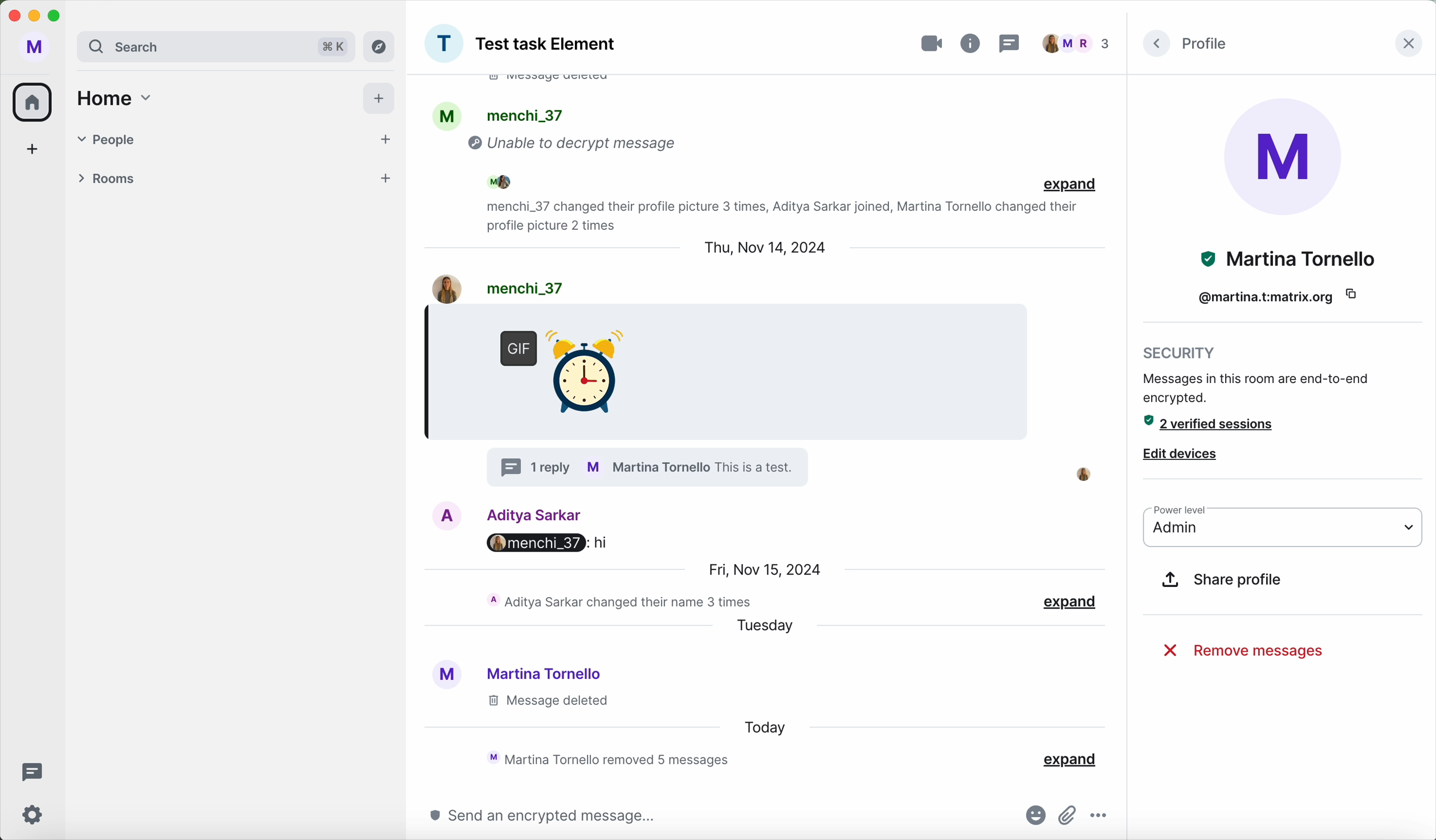 This screenshot has width=1436, height=840. I want to click on attach file, so click(1068, 813).